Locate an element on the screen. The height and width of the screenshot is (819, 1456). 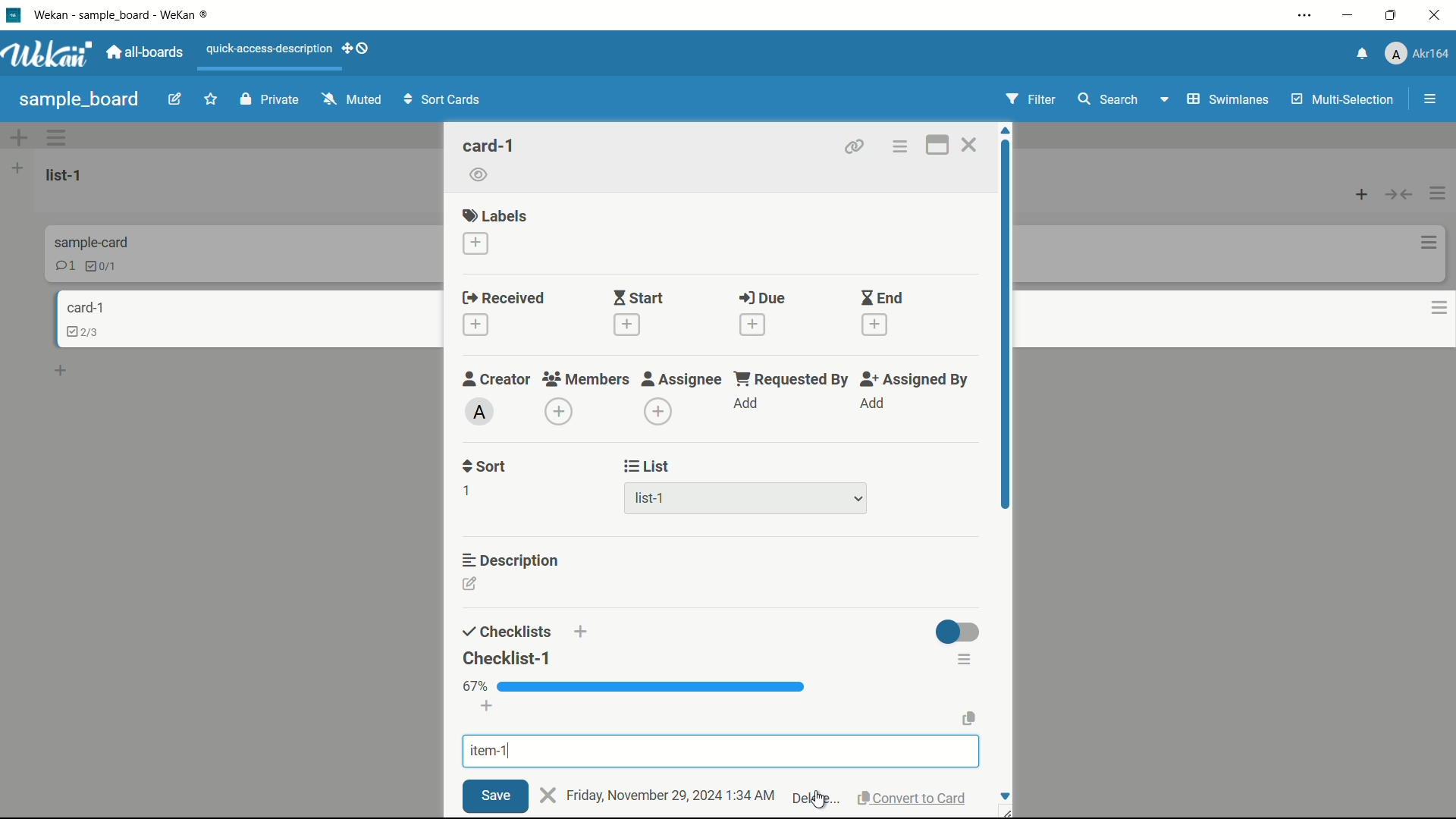
checklist is located at coordinates (104, 268).